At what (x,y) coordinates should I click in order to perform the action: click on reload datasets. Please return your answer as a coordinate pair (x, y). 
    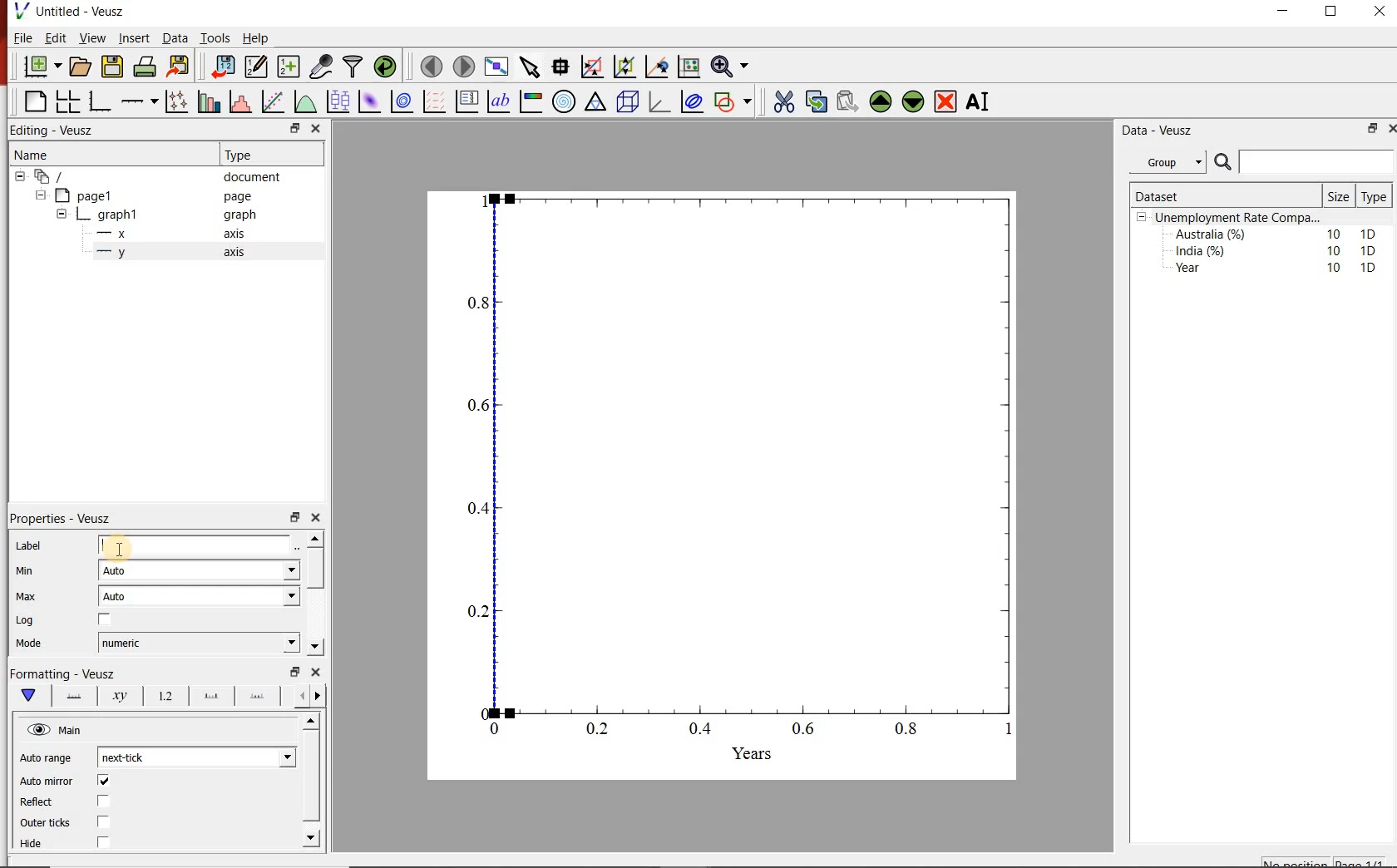
    Looking at the image, I should click on (386, 66).